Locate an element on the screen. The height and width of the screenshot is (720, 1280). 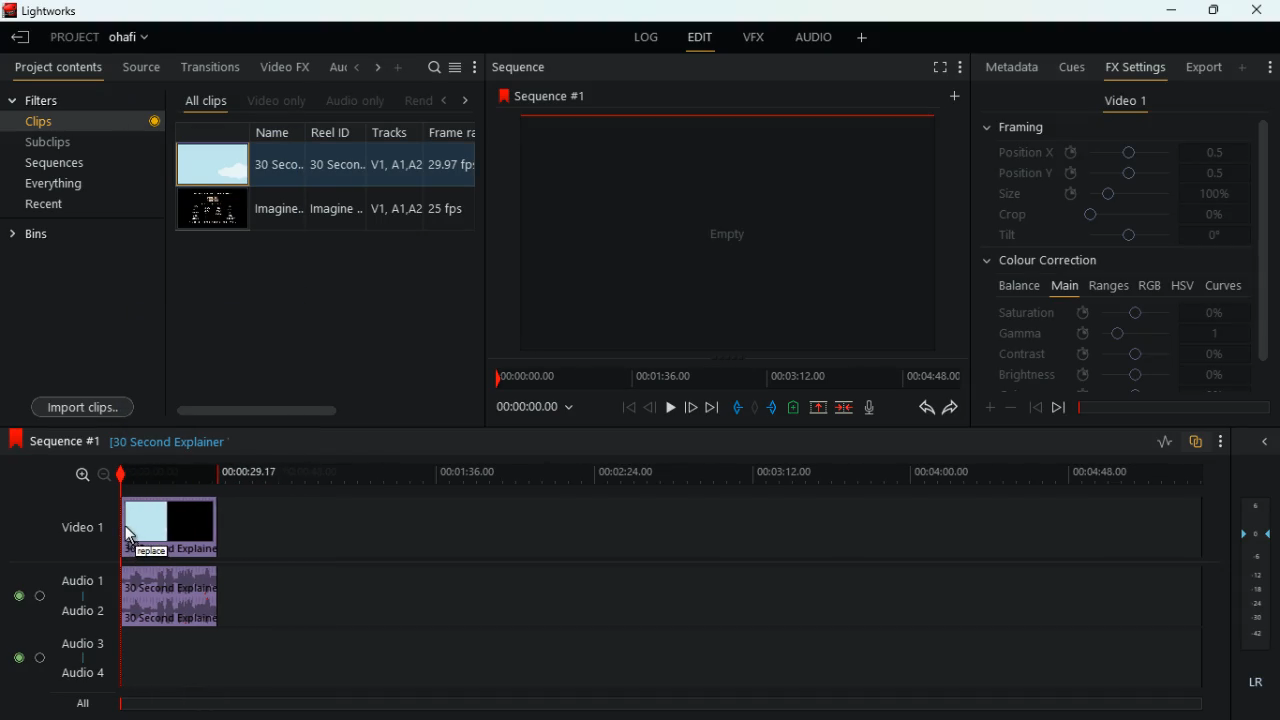
rgb is located at coordinates (1150, 285).